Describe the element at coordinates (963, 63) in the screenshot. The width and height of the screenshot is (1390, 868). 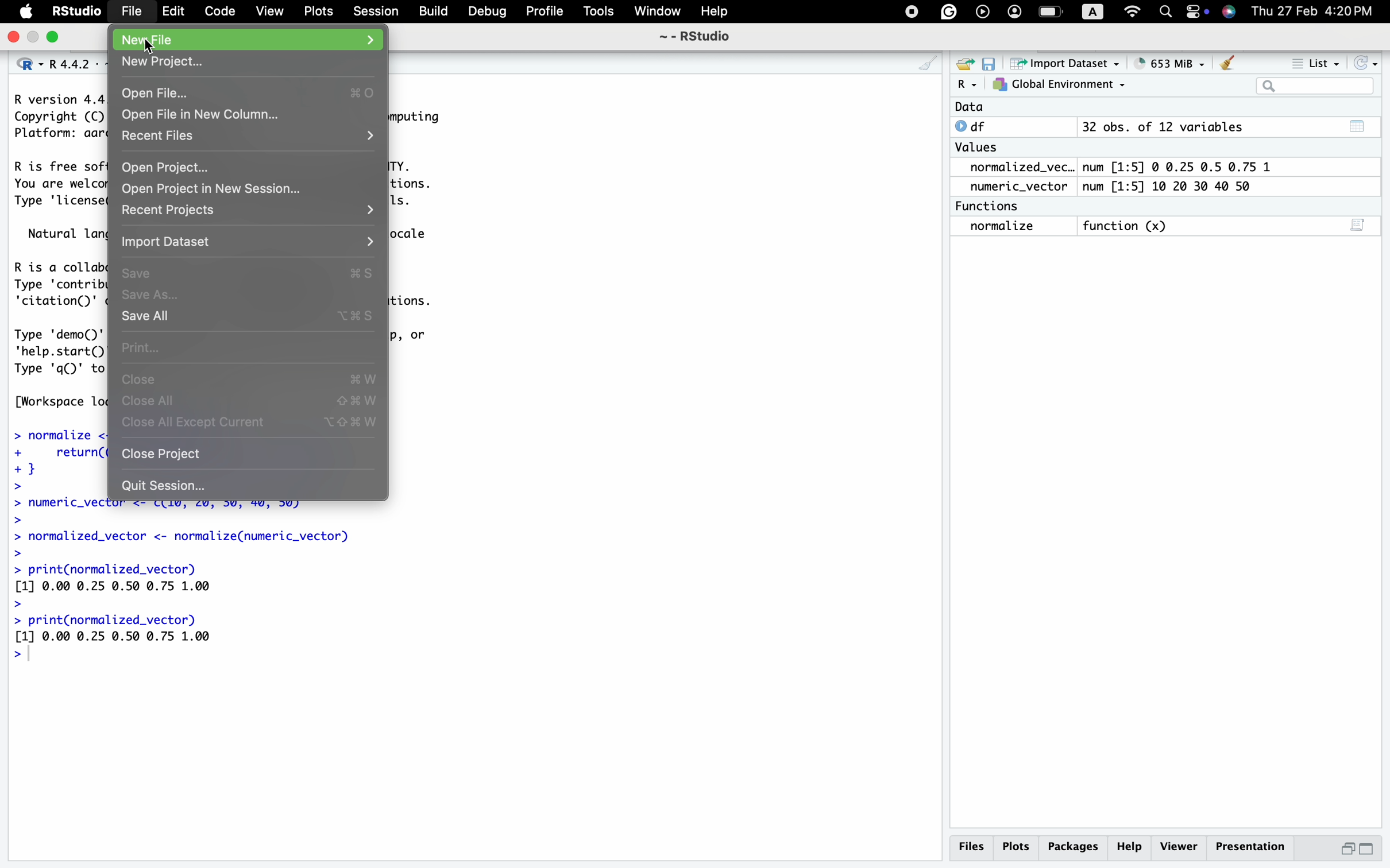
I see `Open` at that location.